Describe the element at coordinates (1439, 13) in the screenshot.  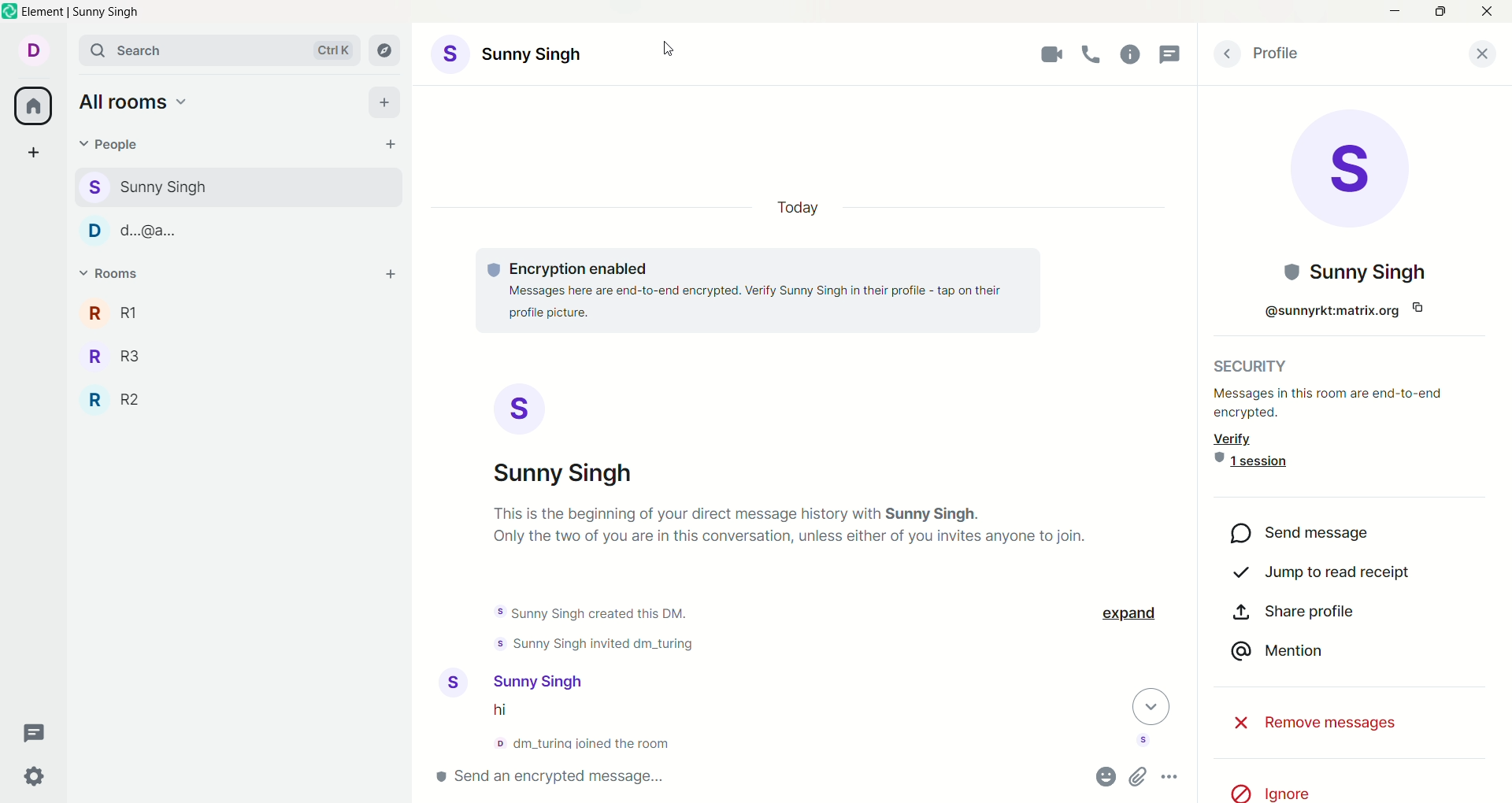
I see `maximize` at that location.